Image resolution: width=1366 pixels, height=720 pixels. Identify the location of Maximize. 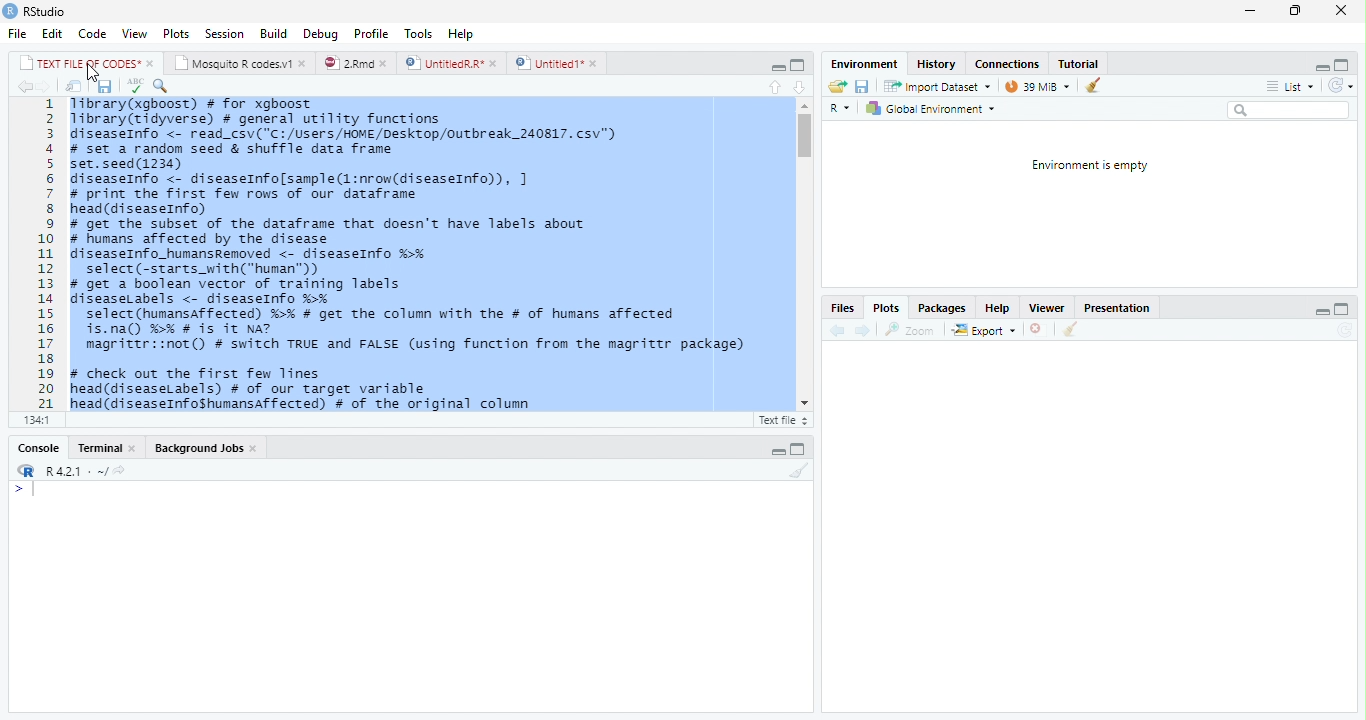
(797, 63).